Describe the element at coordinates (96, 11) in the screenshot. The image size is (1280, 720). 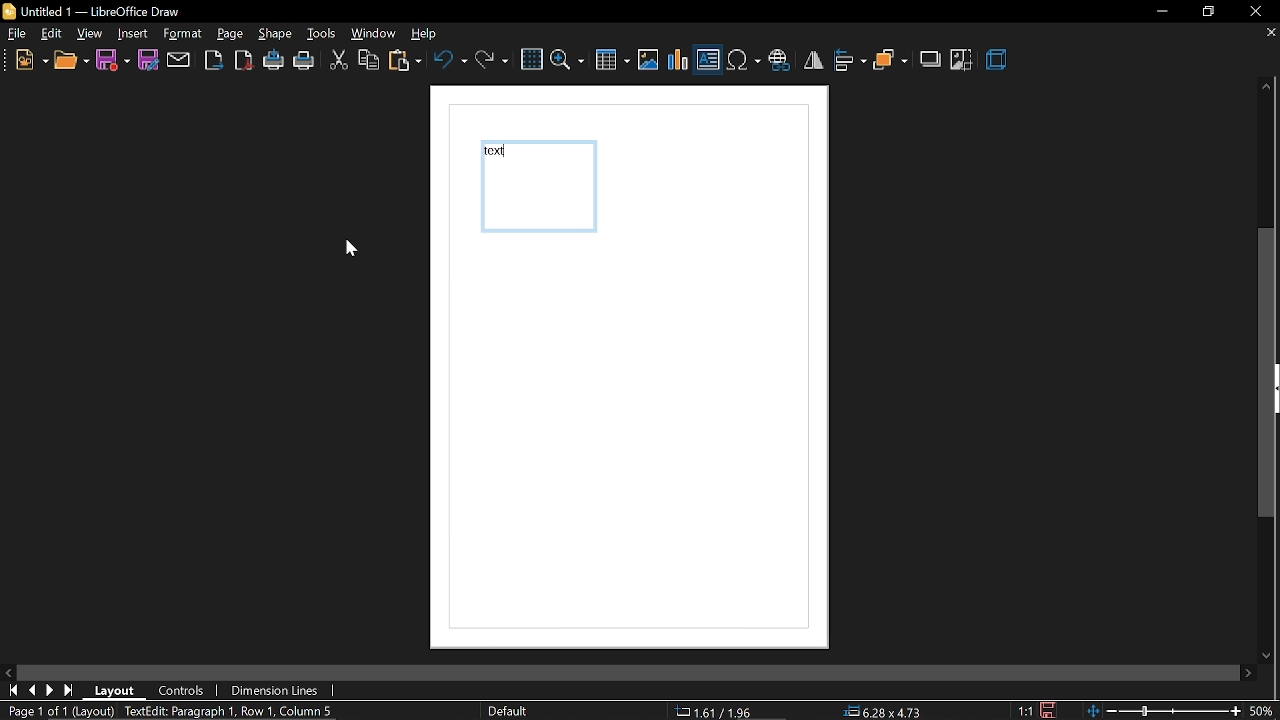
I see `current window` at that location.